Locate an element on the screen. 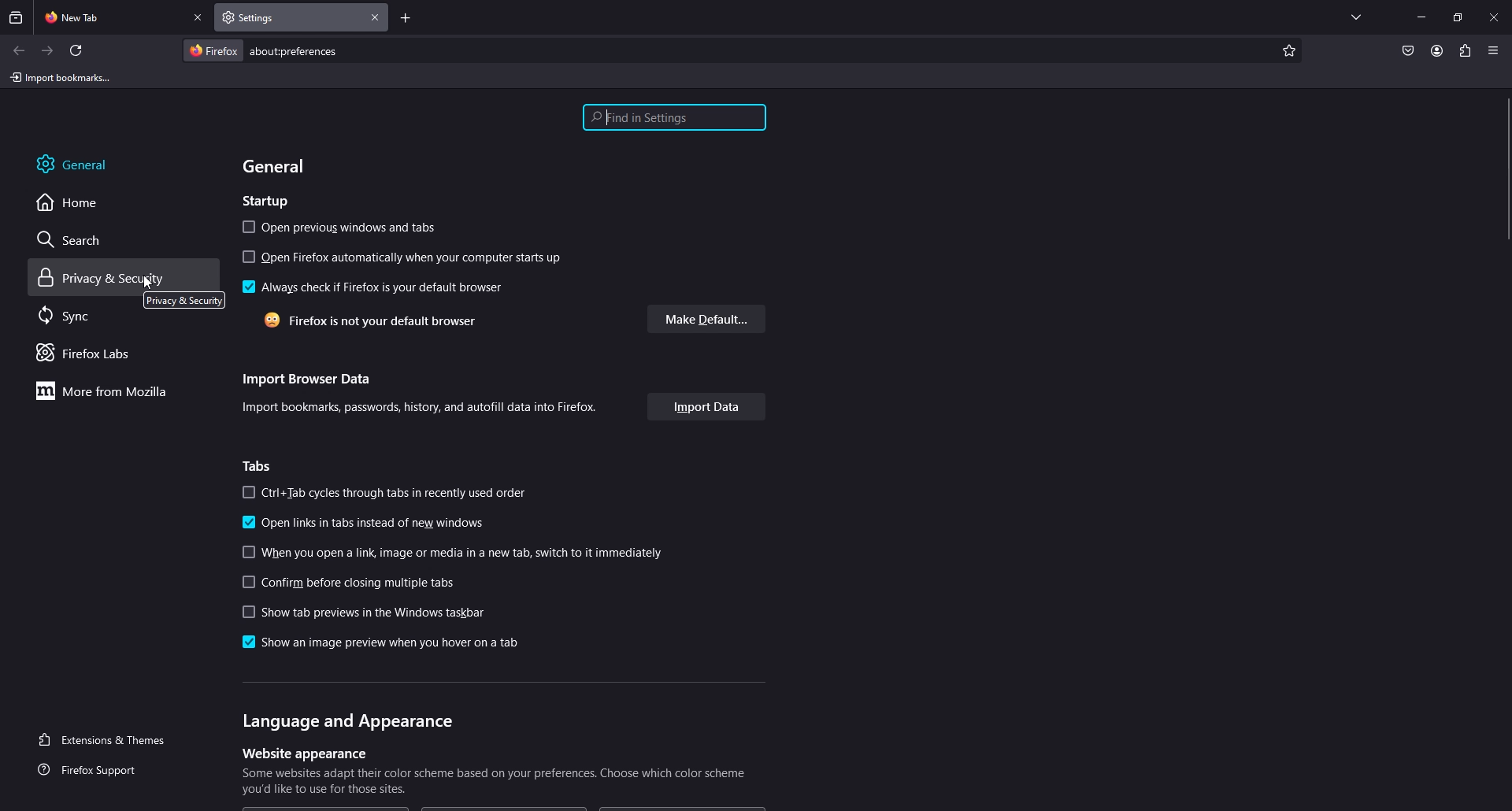 The image size is (1512, 811). ctrl+tab cycles through tabs is located at coordinates (384, 493).